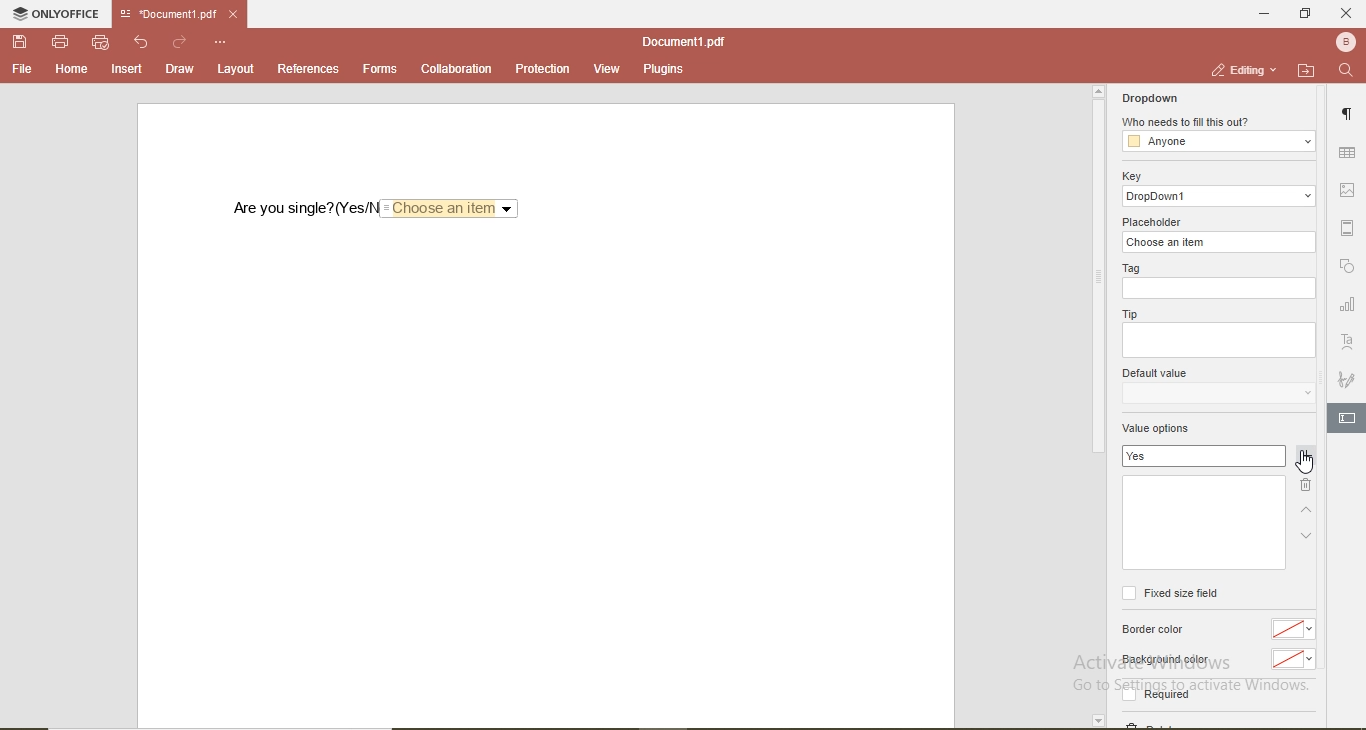 Image resolution: width=1366 pixels, height=730 pixels. I want to click on references, so click(309, 68).